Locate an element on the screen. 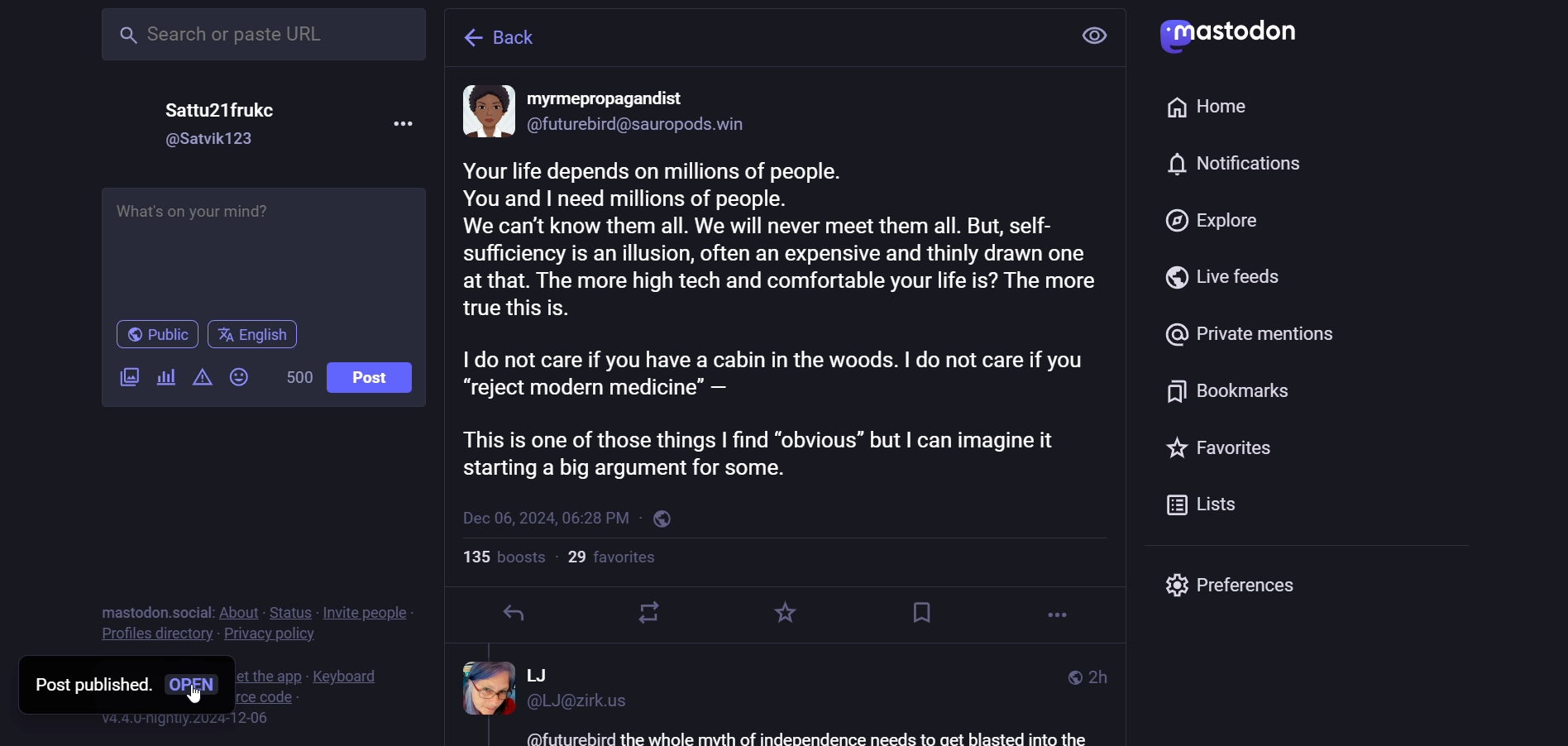 This screenshot has height=746, width=1568. version is located at coordinates (190, 719).